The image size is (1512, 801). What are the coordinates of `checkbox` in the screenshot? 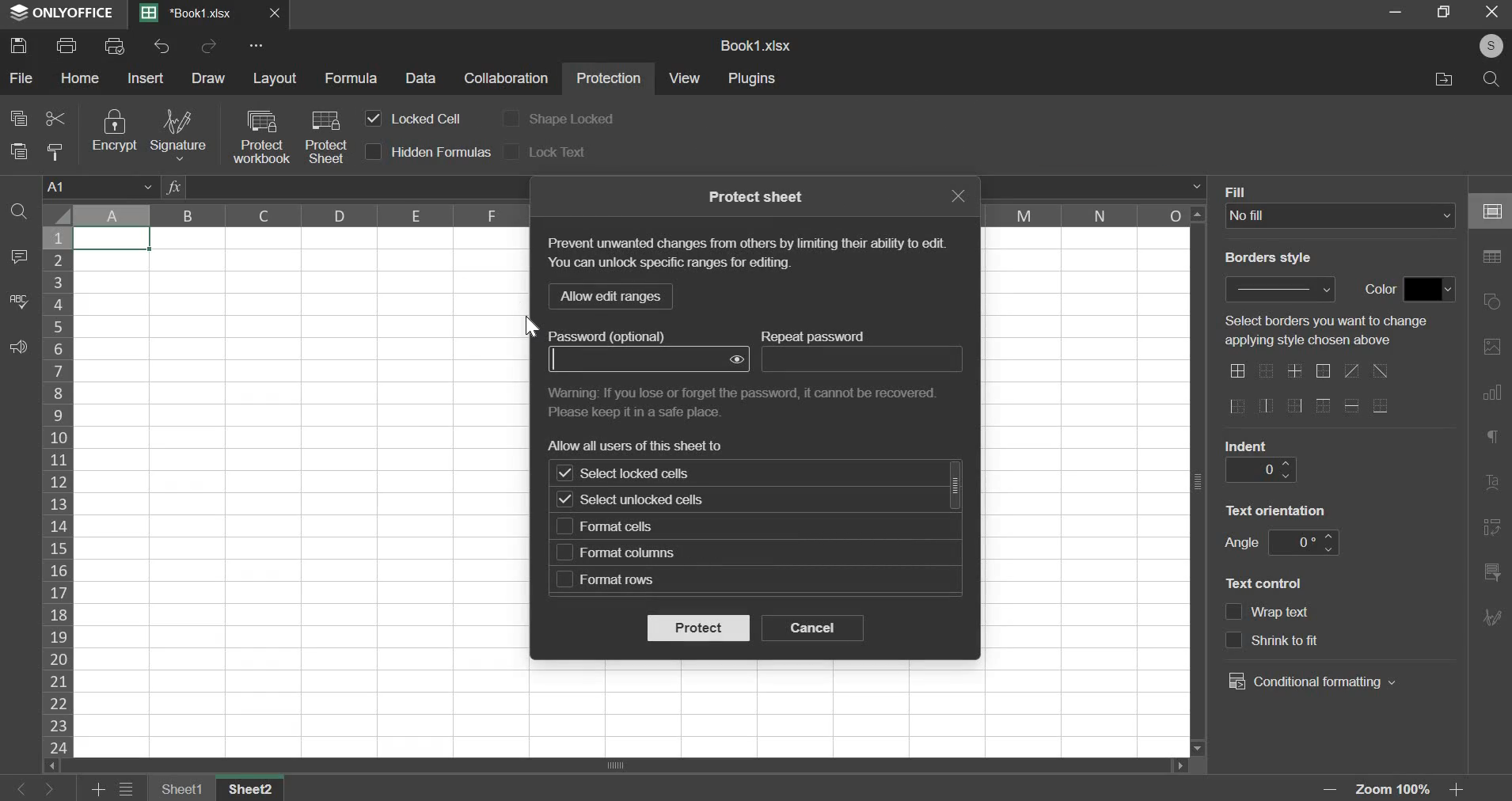 It's located at (511, 117).